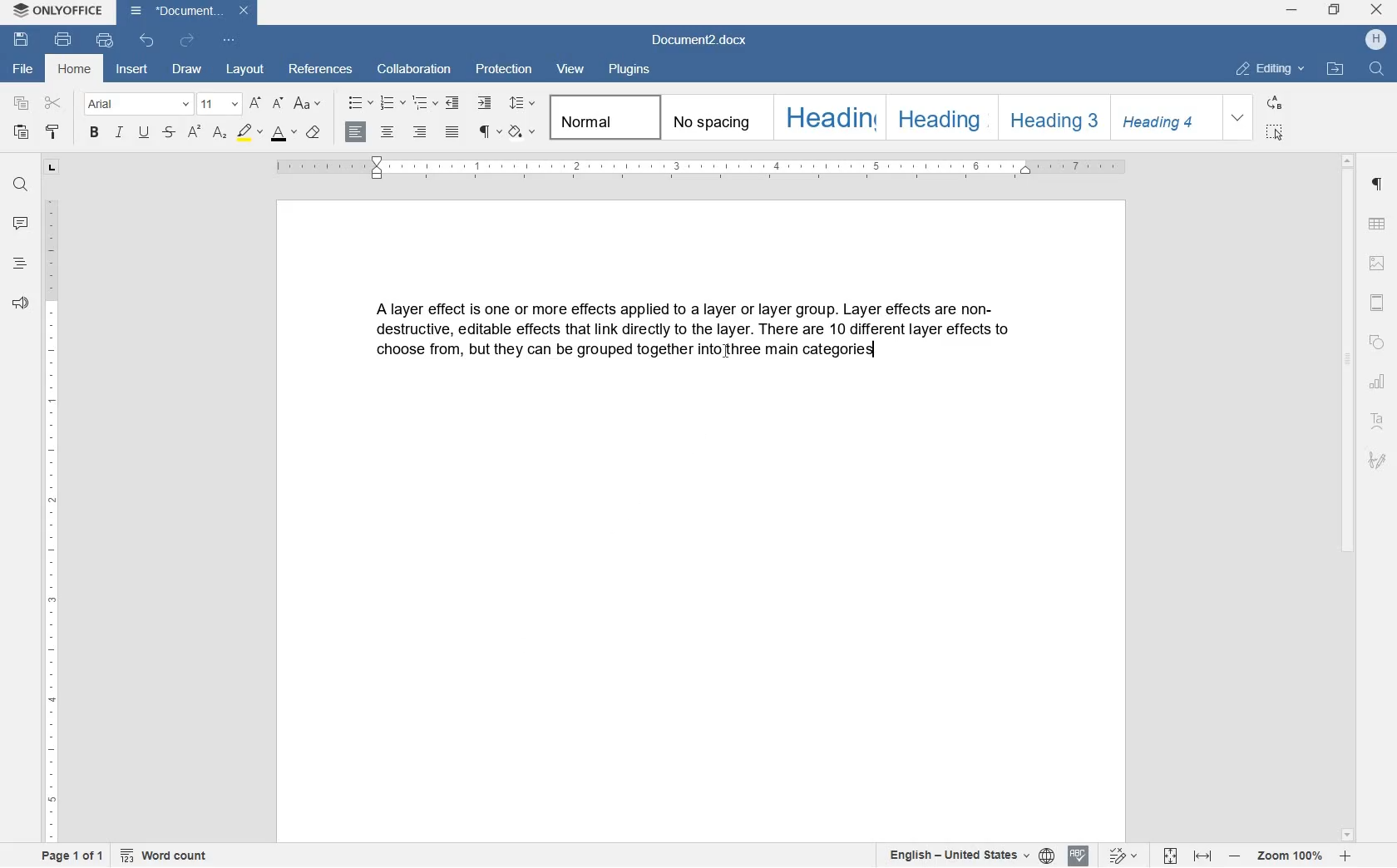 The image size is (1397, 868). I want to click on increment font size, so click(256, 102).